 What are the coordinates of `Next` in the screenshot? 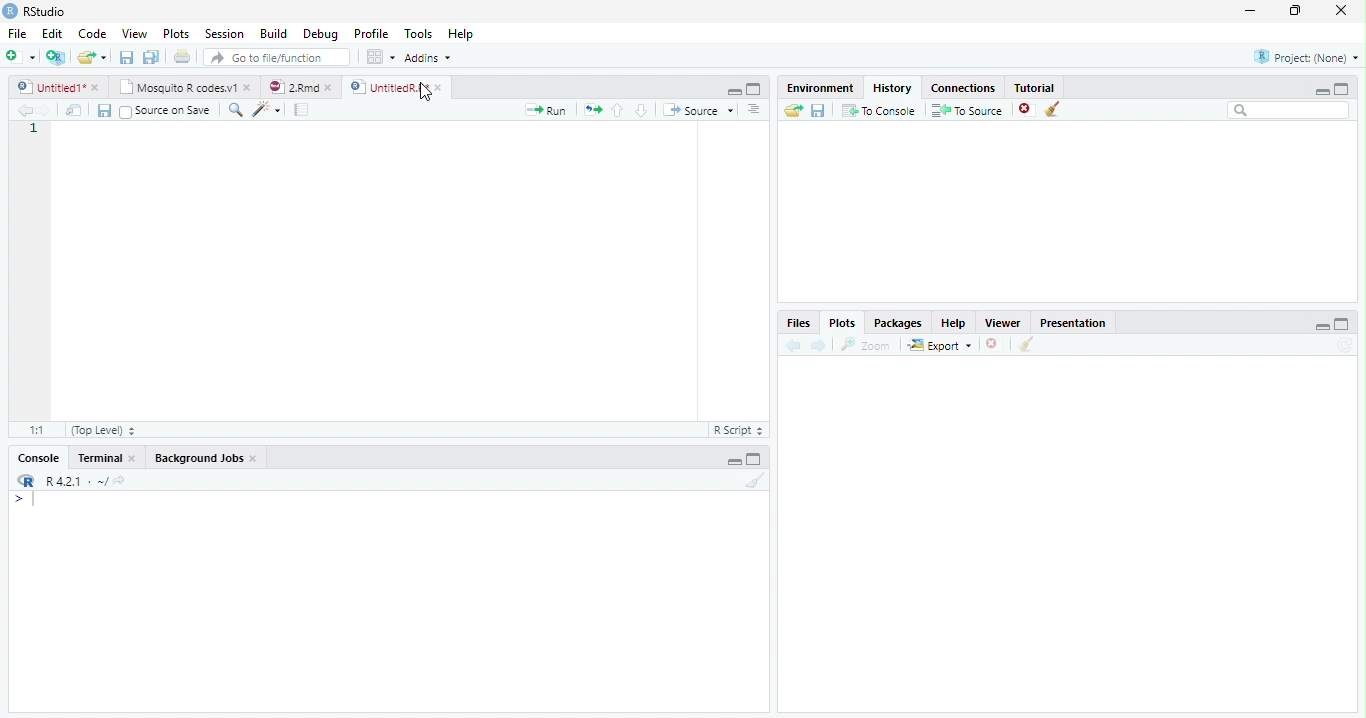 It's located at (52, 113).